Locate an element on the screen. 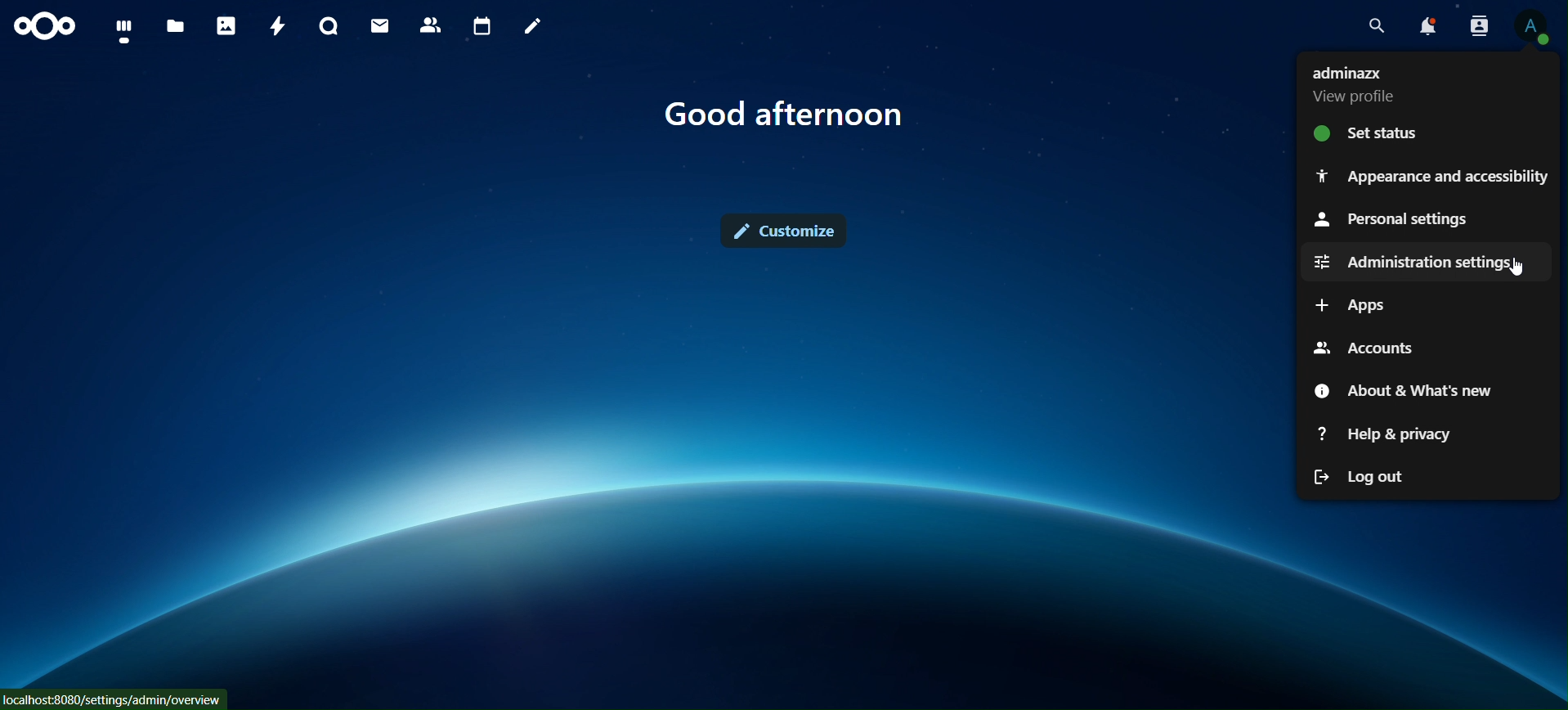 Image resolution: width=1568 pixels, height=710 pixels. notifications is located at coordinates (1421, 25).